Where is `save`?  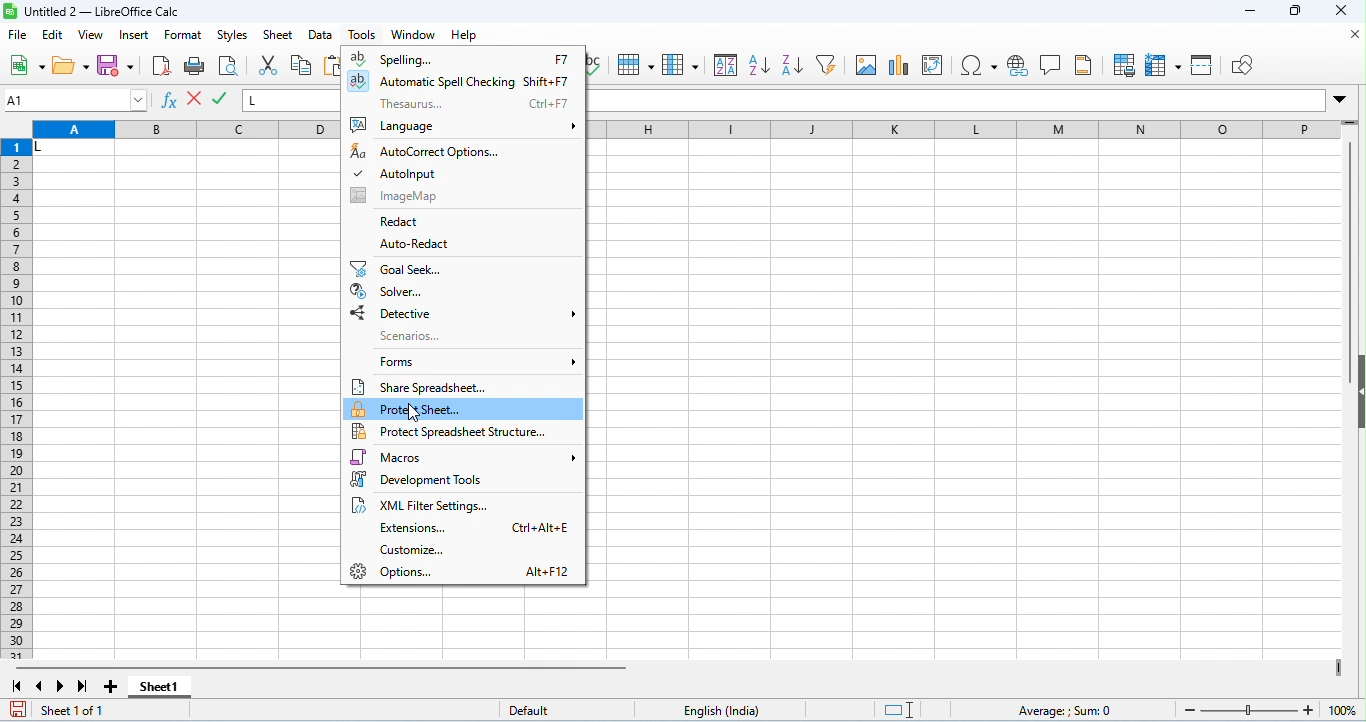
save is located at coordinates (116, 65).